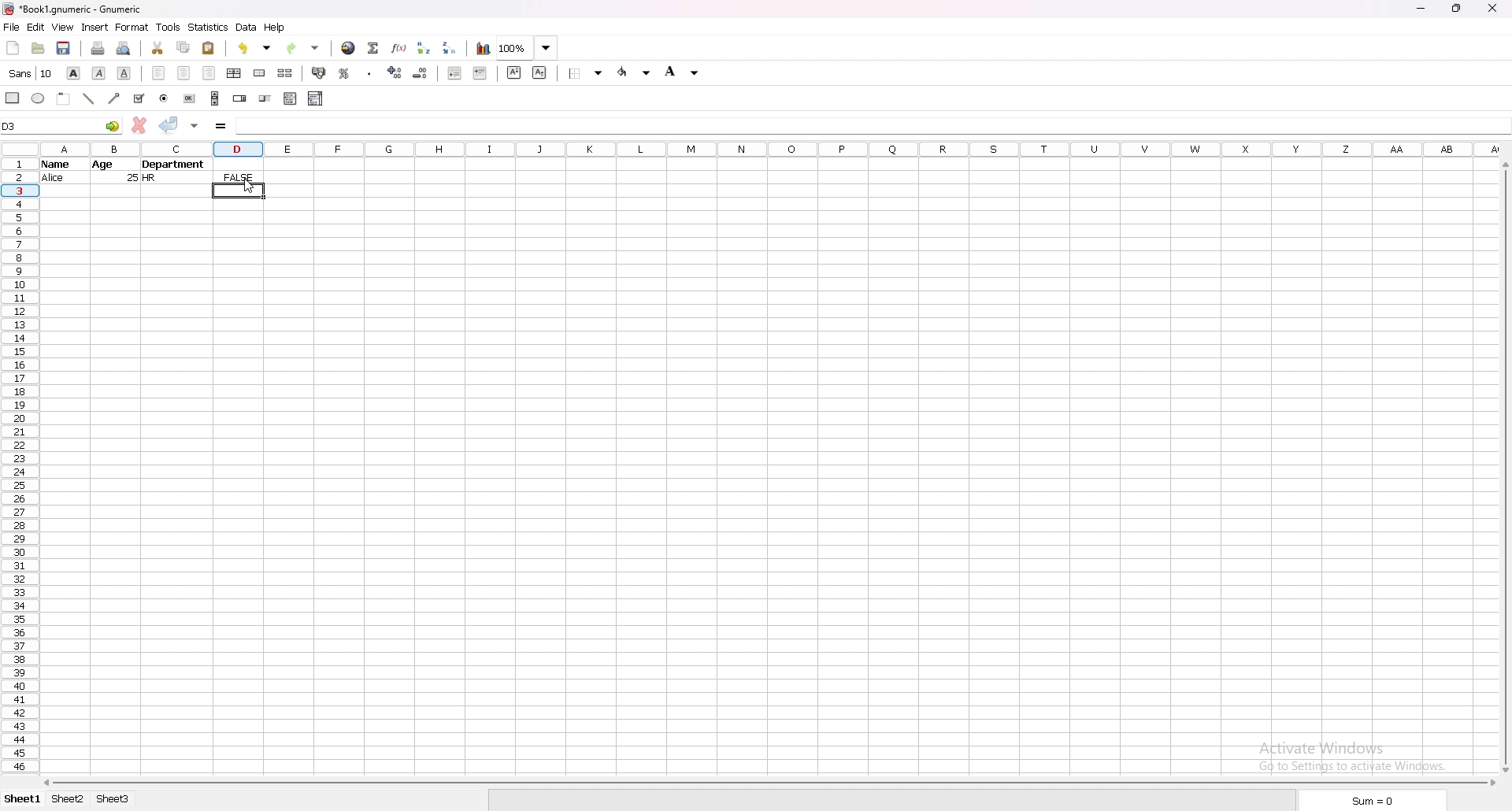  I want to click on file name, so click(75, 9).